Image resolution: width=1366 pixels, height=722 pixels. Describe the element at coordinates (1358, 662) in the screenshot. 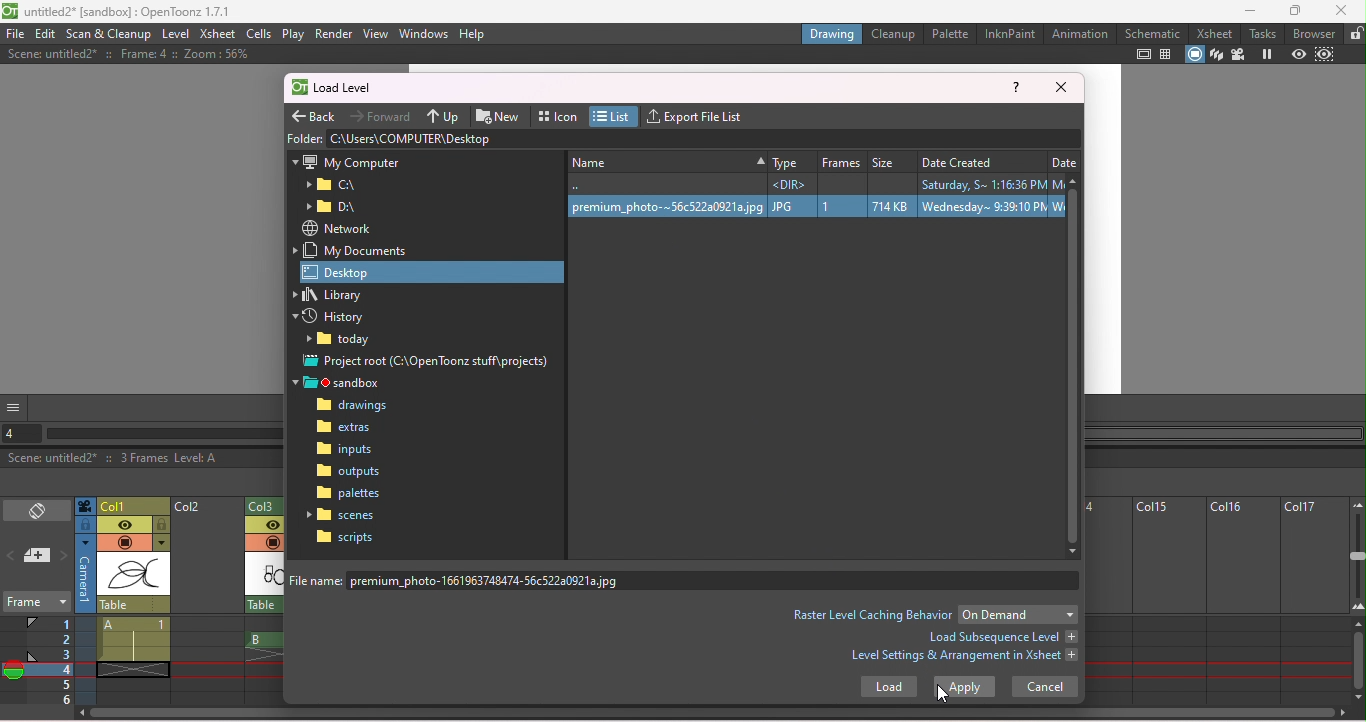

I see `Vertical scroll bar` at that location.